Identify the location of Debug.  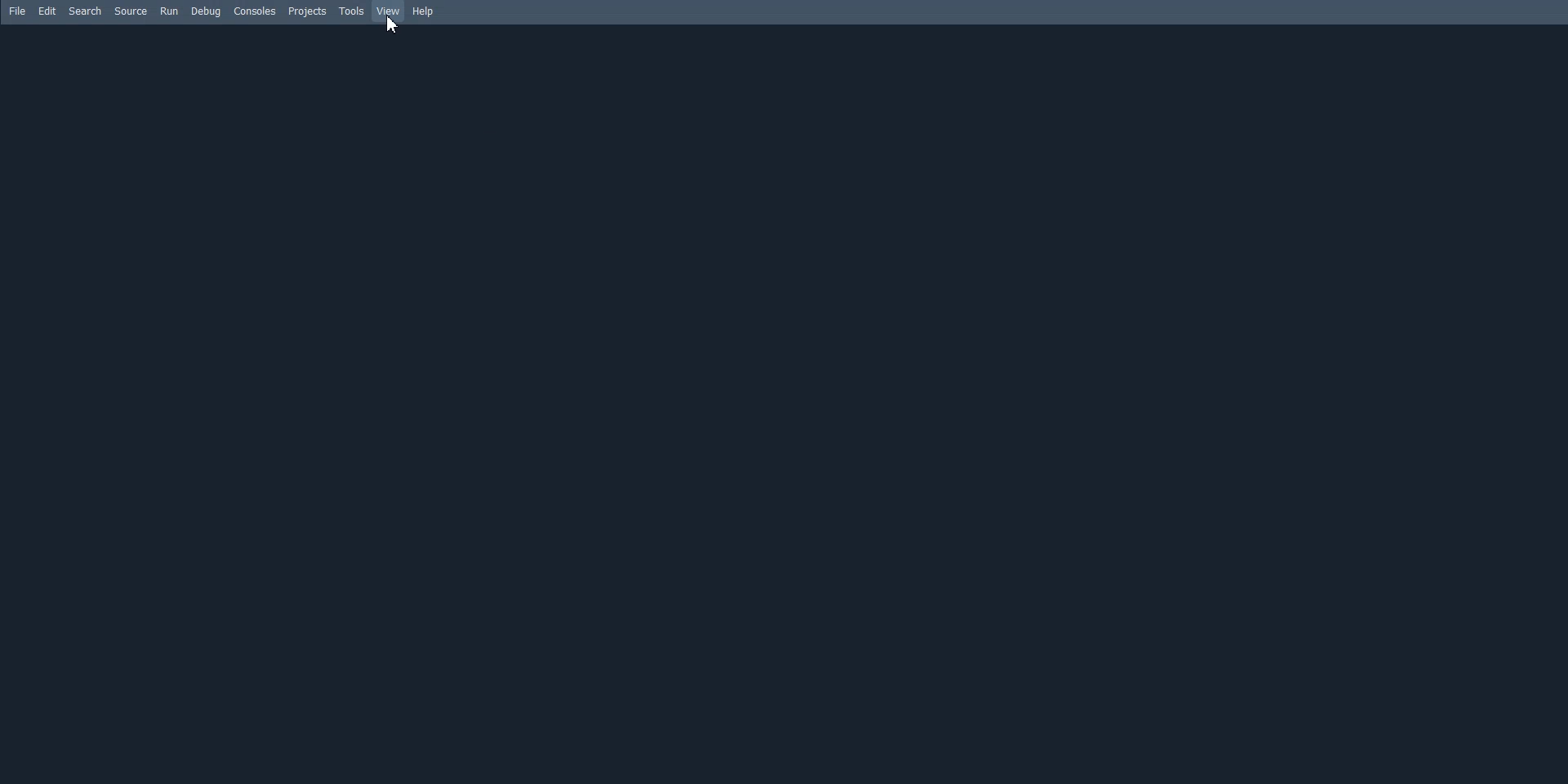
(205, 12).